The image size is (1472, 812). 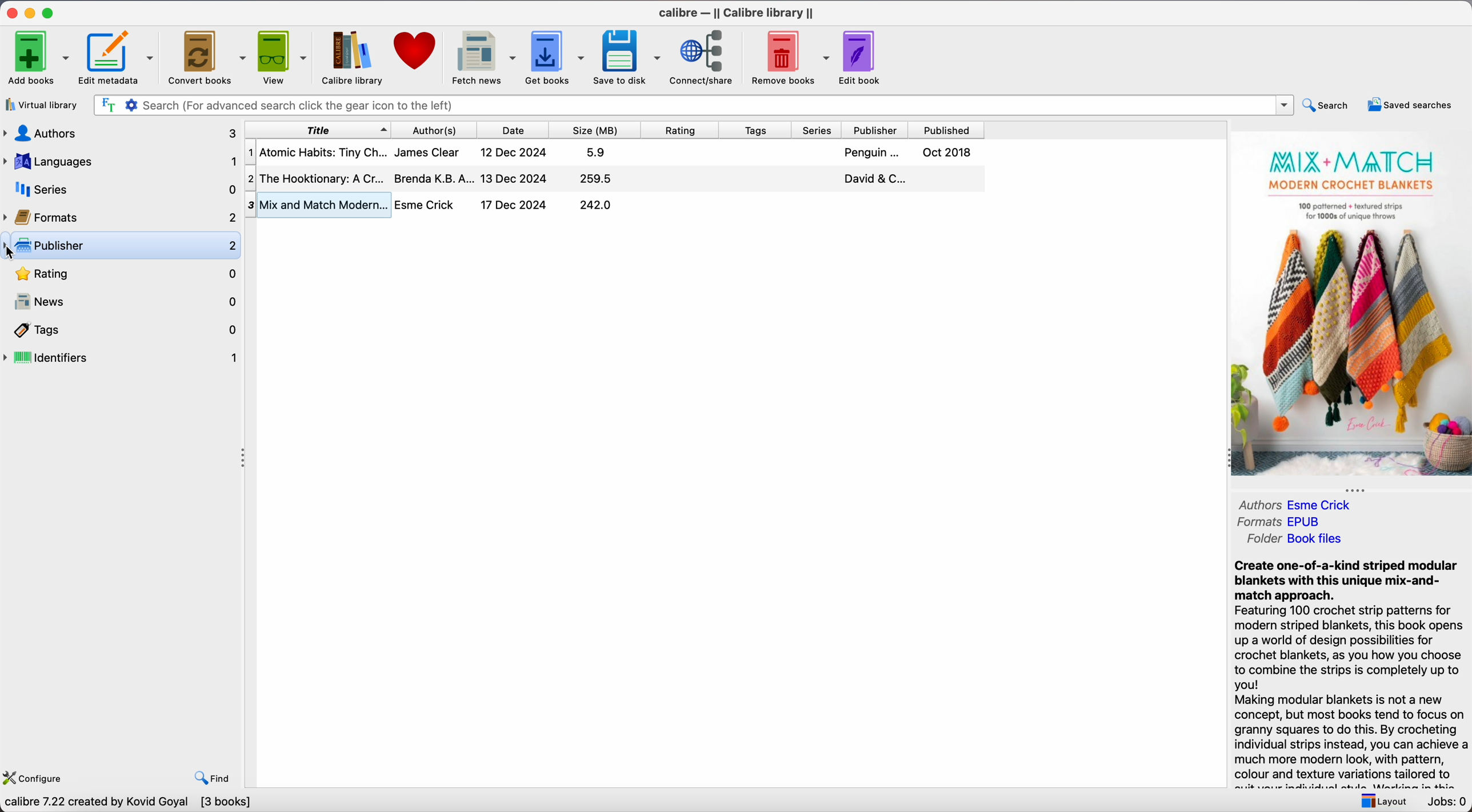 What do you see at coordinates (819, 130) in the screenshot?
I see `series` at bounding box center [819, 130].